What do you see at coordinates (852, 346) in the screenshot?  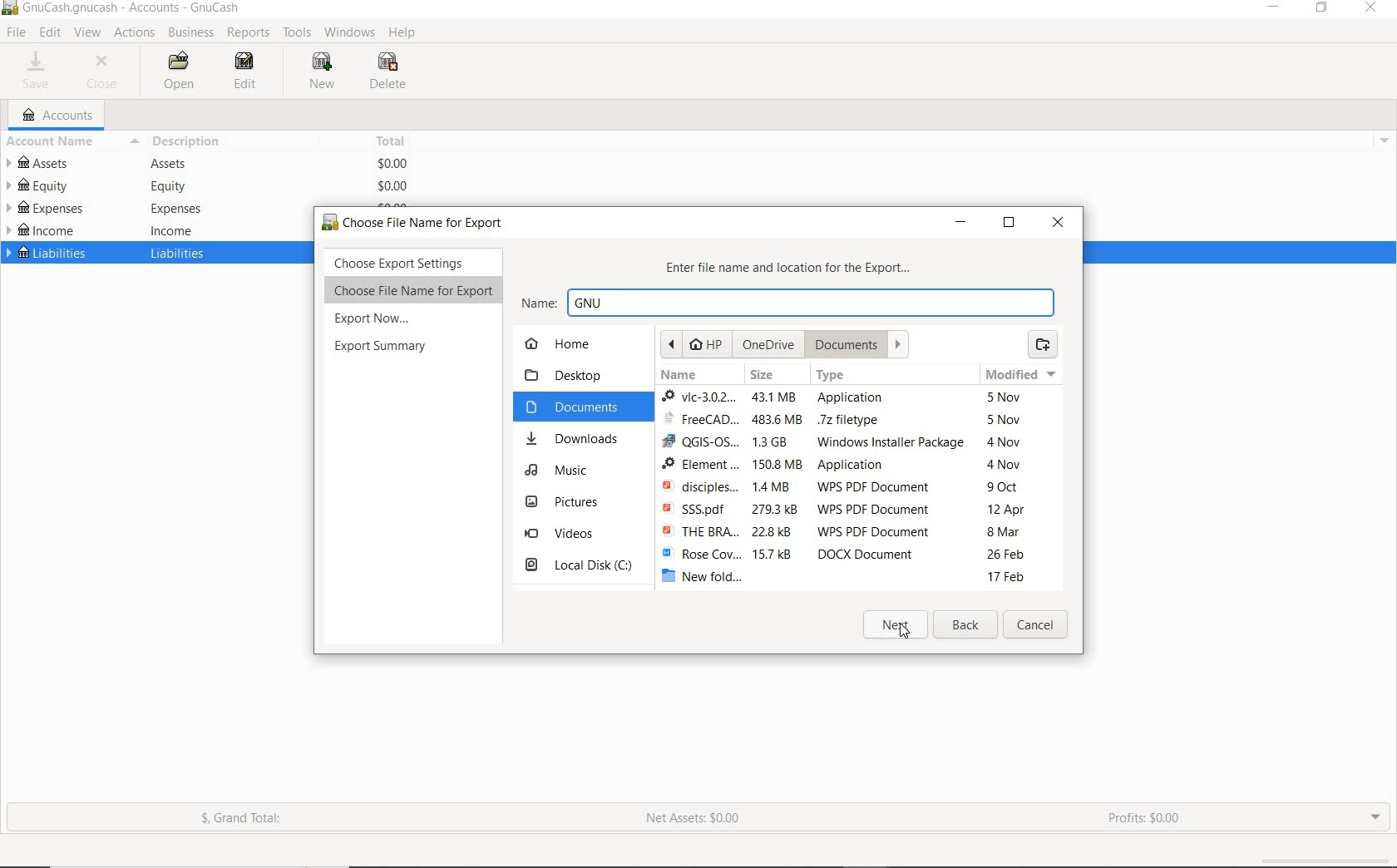 I see `document` at bounding box center [852, 346].